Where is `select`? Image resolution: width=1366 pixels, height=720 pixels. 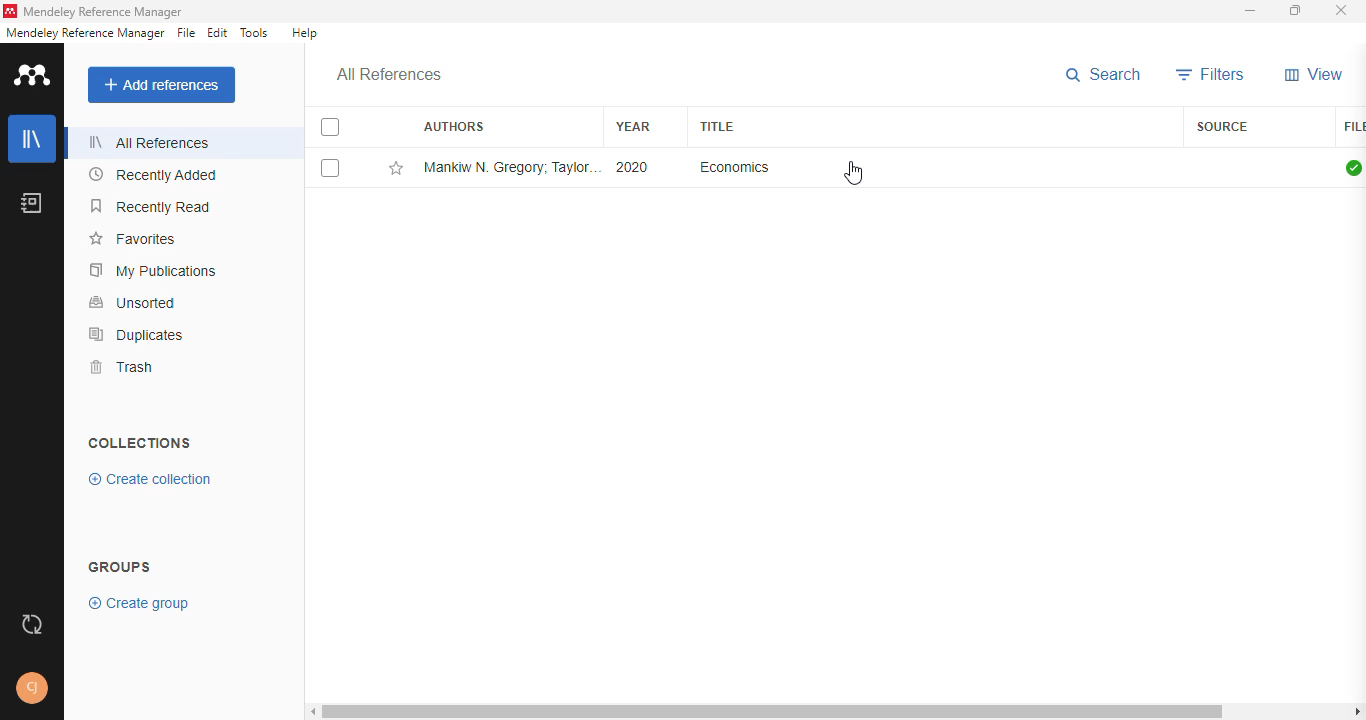 select is located at coordinates (330, 127).